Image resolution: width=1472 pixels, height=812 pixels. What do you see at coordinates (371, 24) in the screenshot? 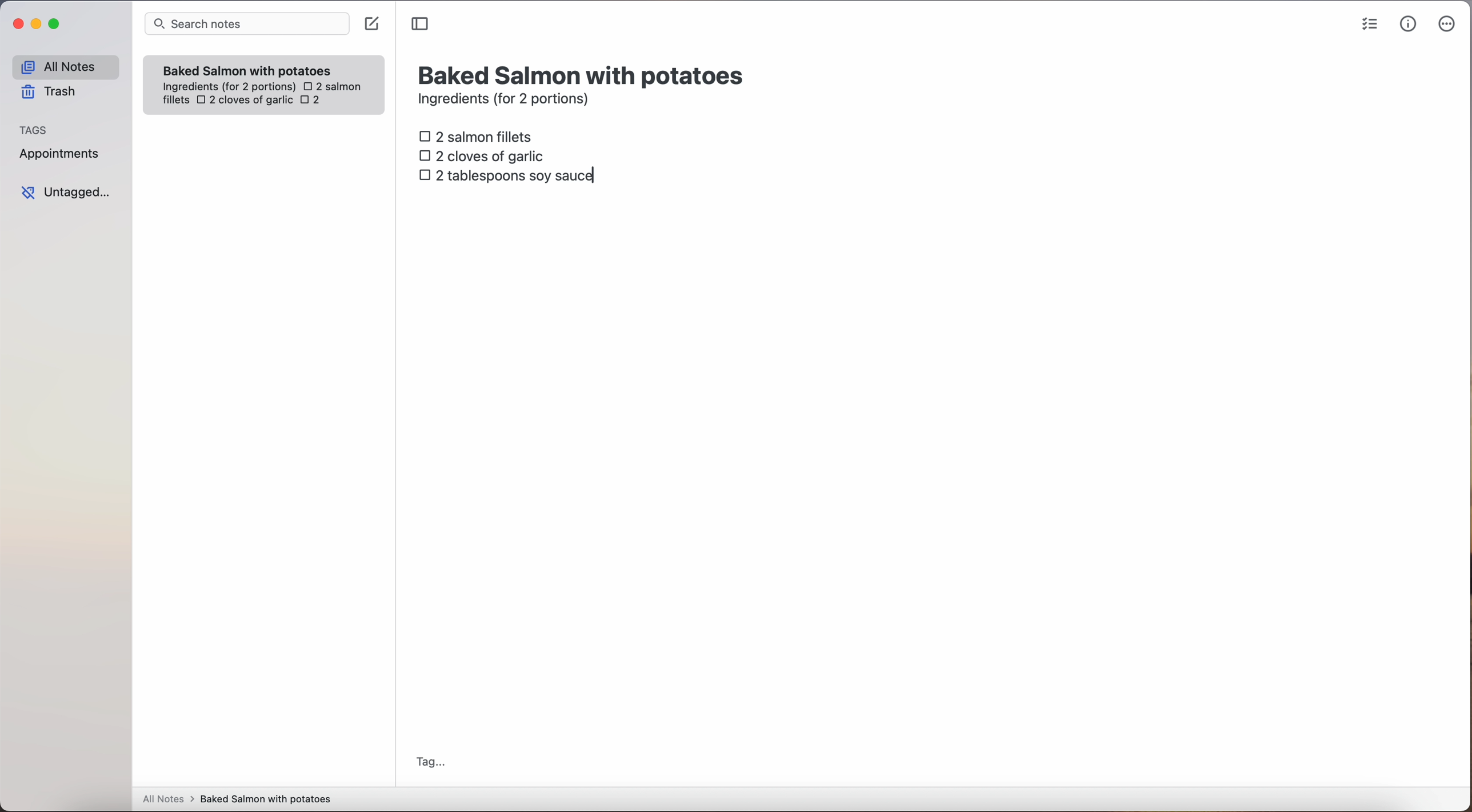
I see `create note` at bounding box center [371, 24].